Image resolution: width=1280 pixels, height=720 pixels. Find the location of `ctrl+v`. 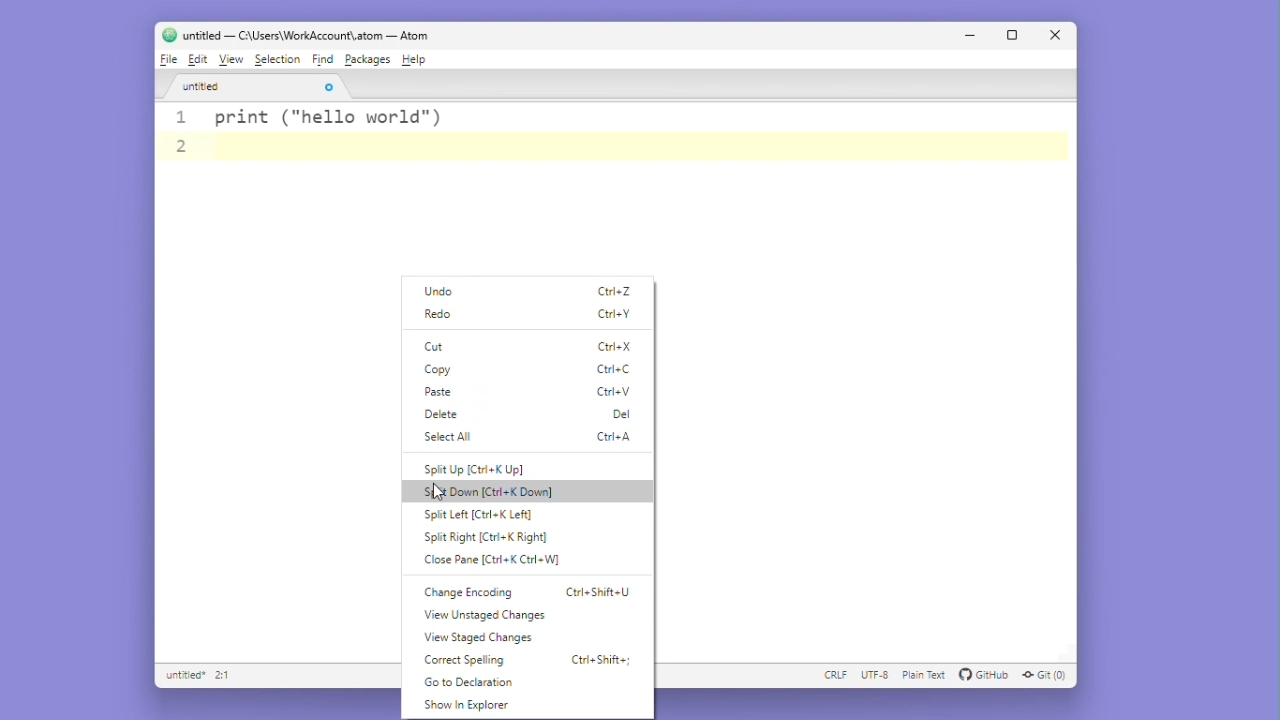

ctrl+v is located at coordinates (618, 393).